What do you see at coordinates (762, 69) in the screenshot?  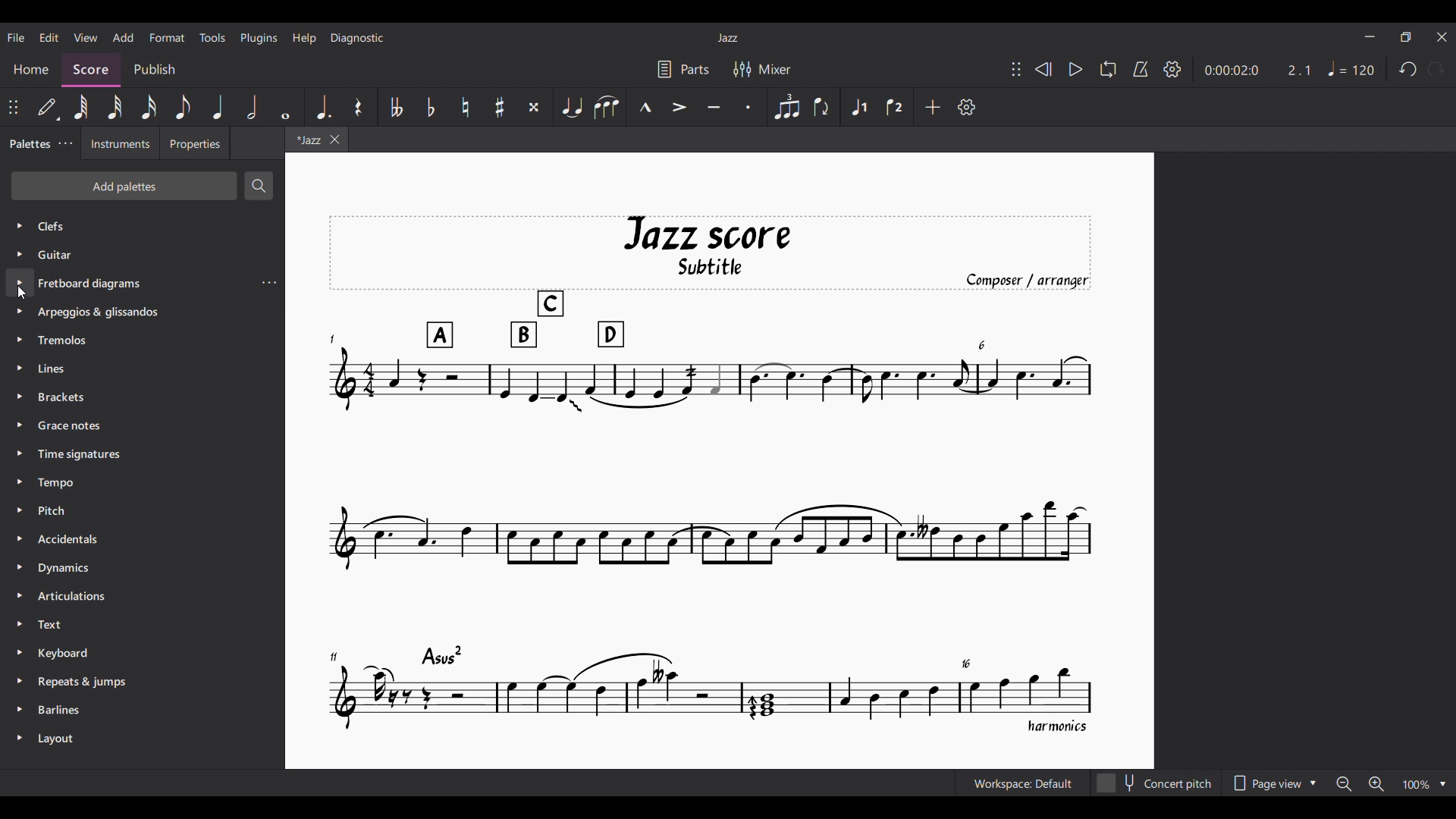 I see `Mixer settings` at bounding box center [762, 69].